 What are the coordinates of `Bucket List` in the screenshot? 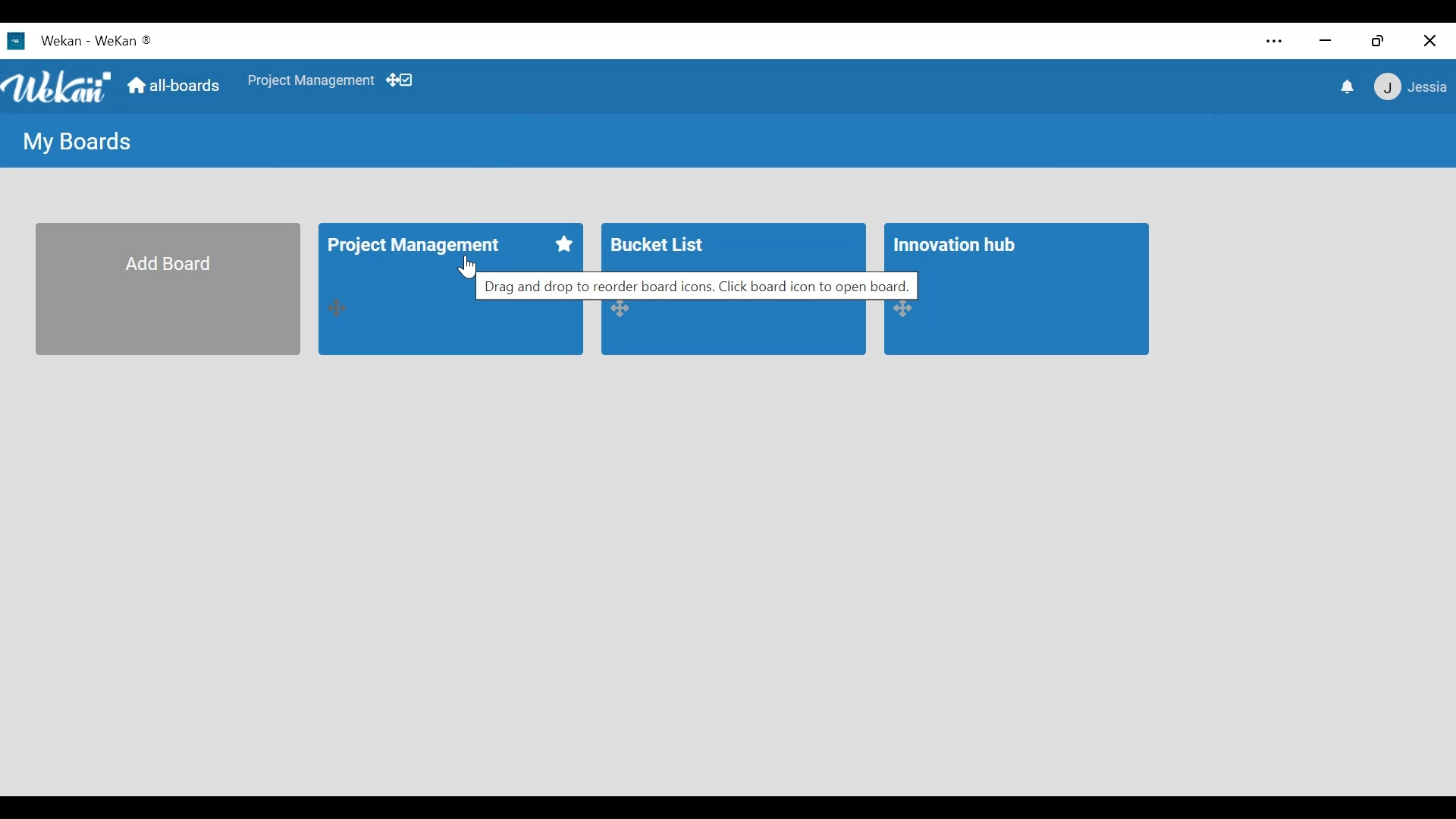 It's located at (663, 243).